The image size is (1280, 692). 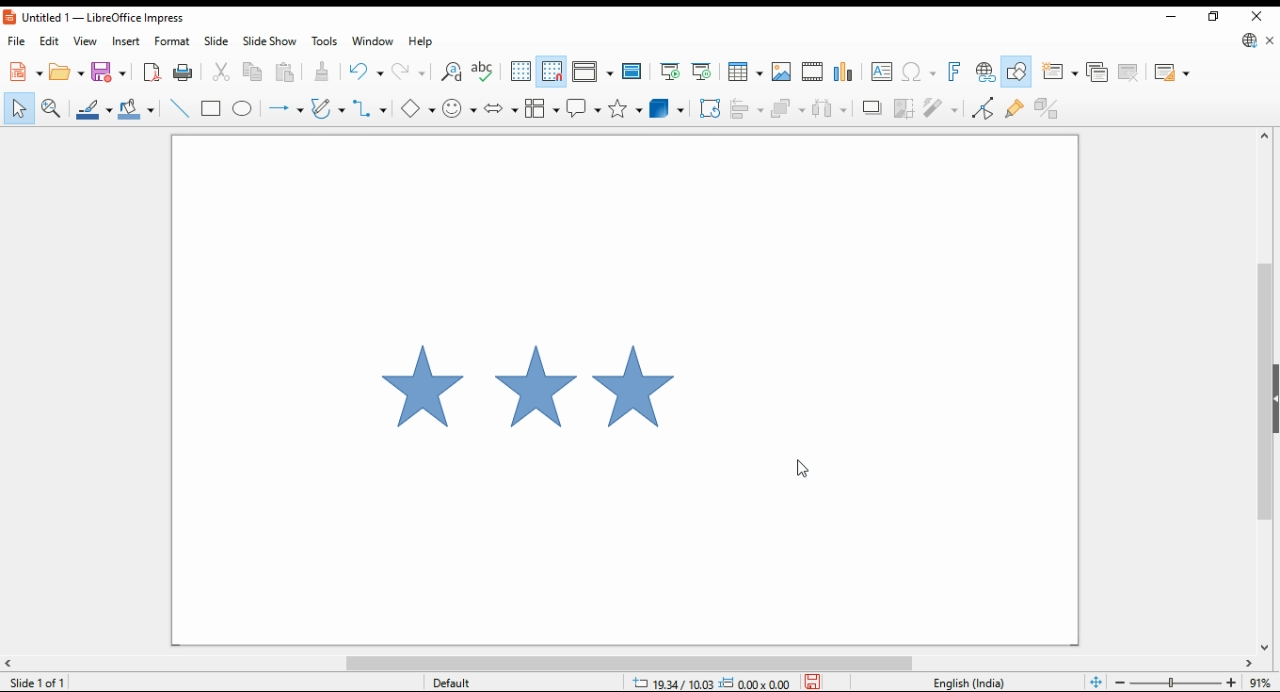 What do you see at coordinates (1268, 38) in the screenshot?
I see `close document` at bounding box center [1268, 38].